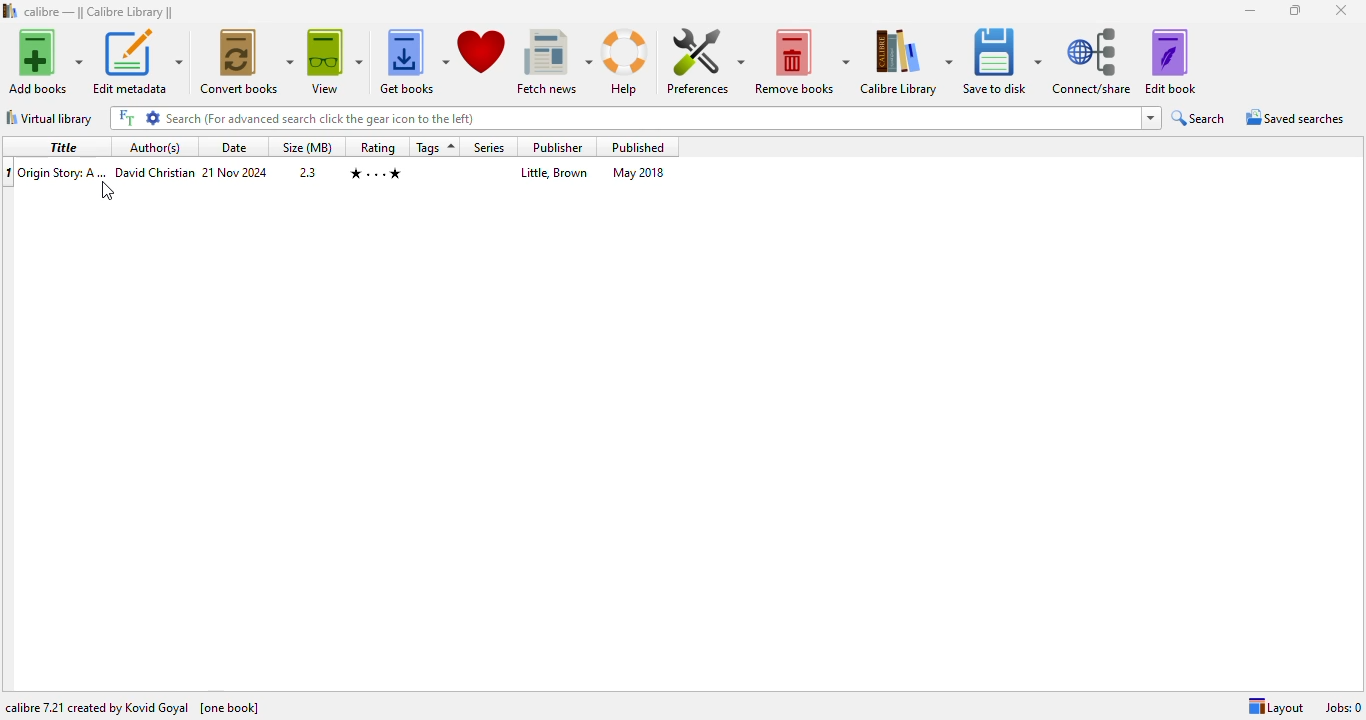  I want to click on layout, so click(1275, 707).